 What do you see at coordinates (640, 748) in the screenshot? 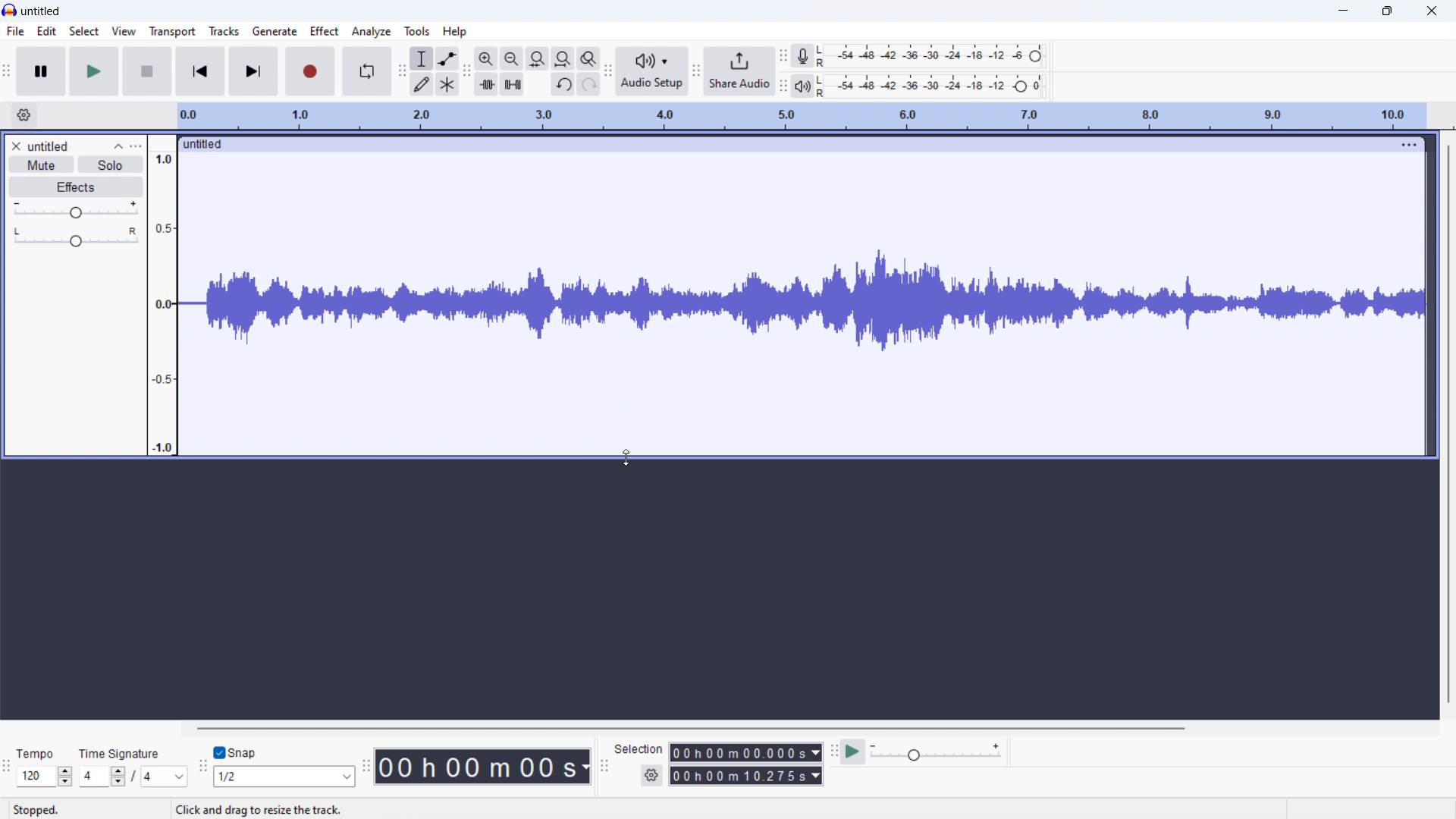
I see `Selection` at bounding box center [640, 748].